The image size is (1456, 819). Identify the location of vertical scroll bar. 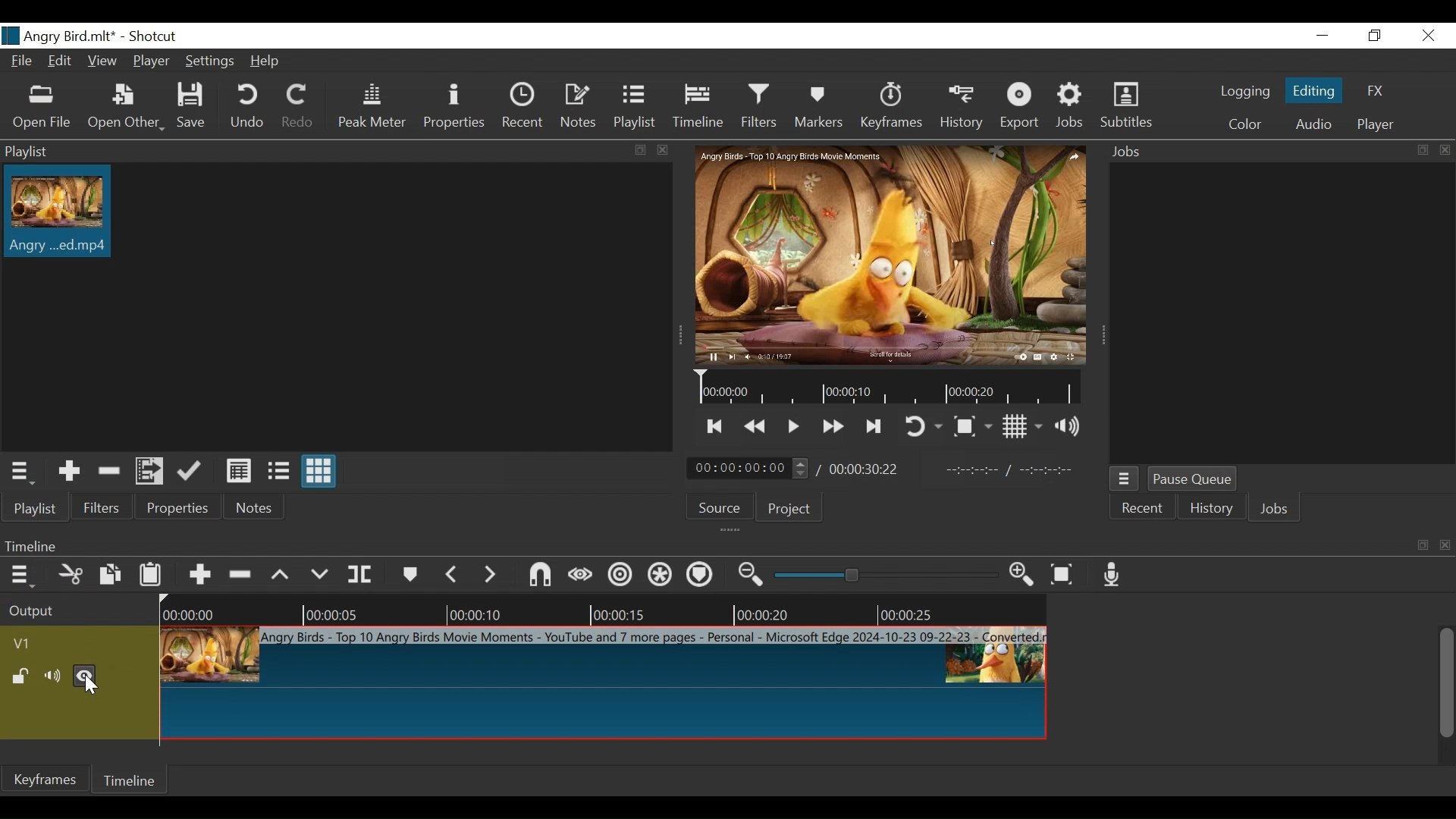
(1439, 698).